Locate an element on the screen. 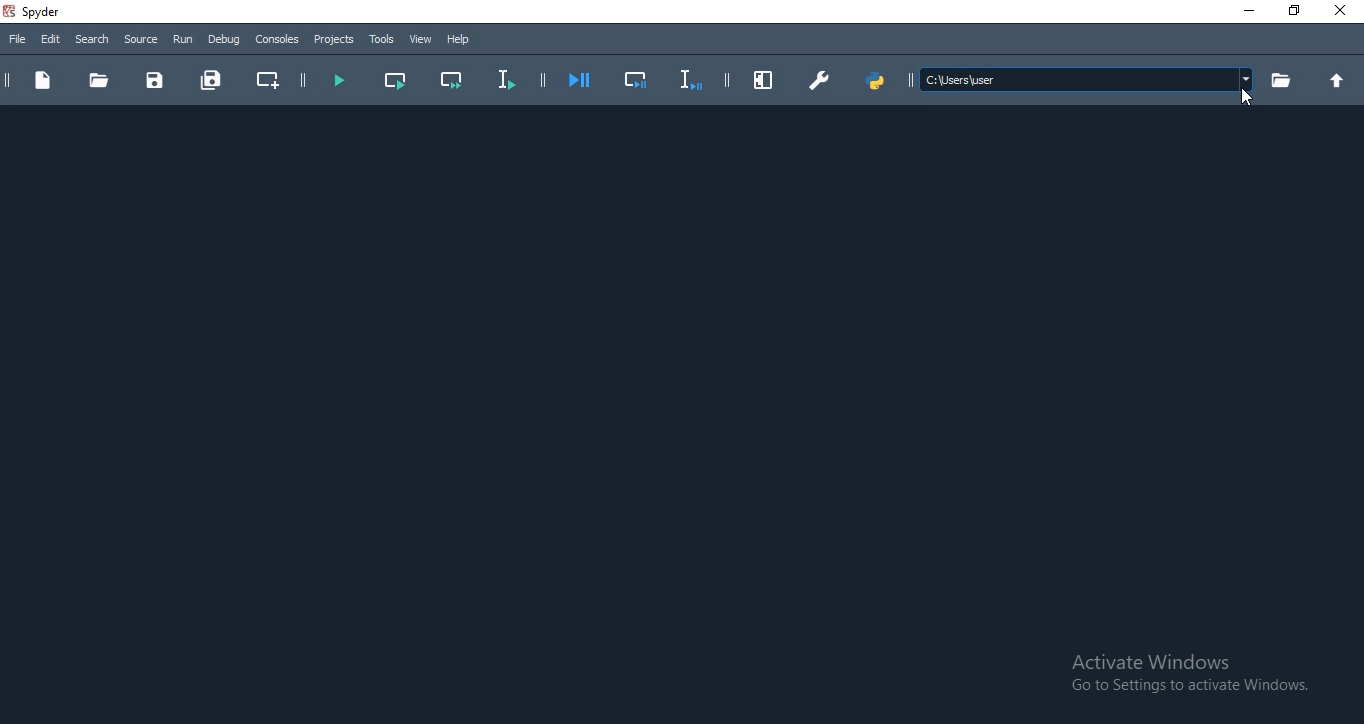 Image resolution: width=1364 pixels, height=724 pixels. Source is located at coordinates (140, 40).